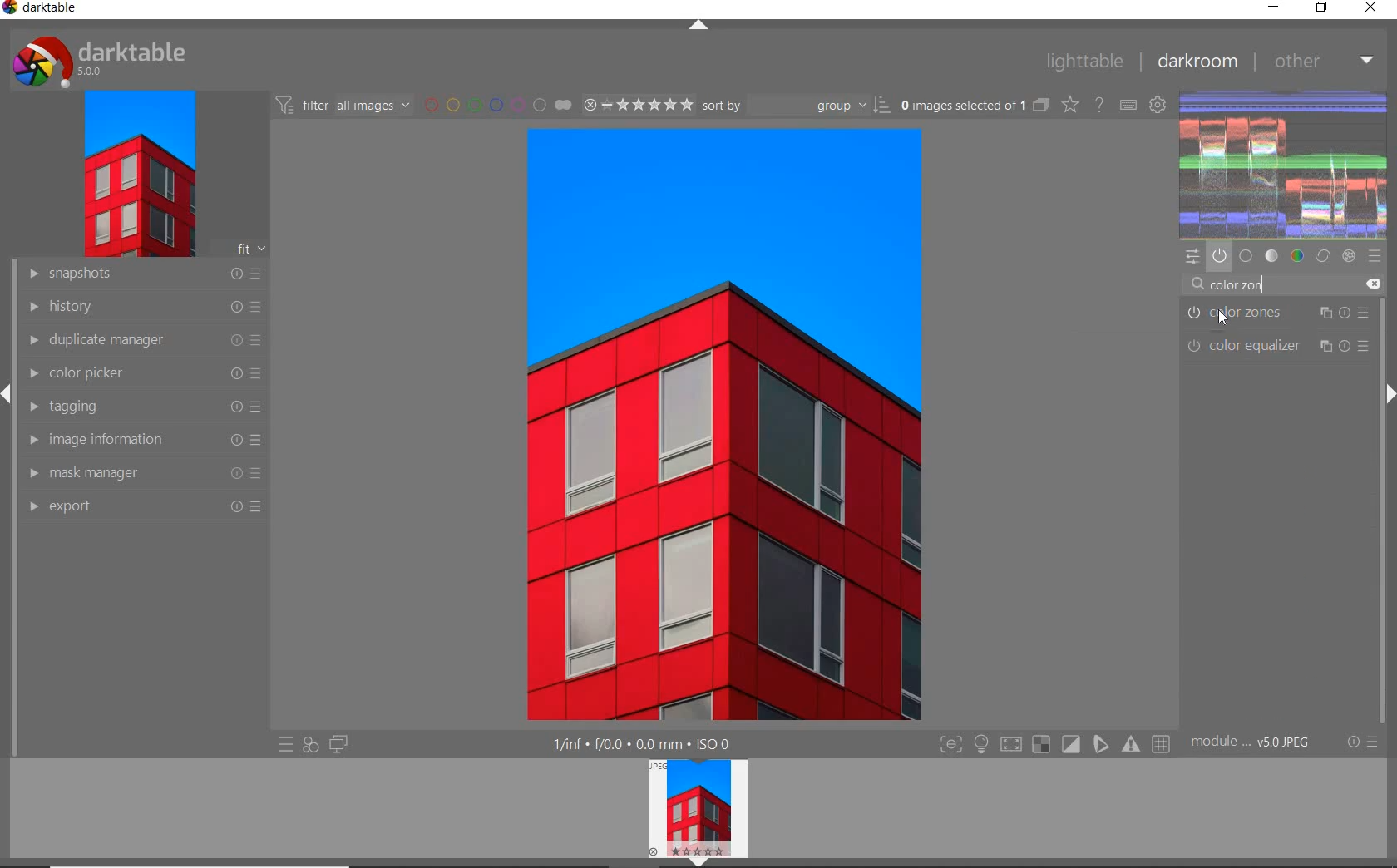  Describe the element at coordinates (1246, 254) in the screenshot. I see `base` at that location.